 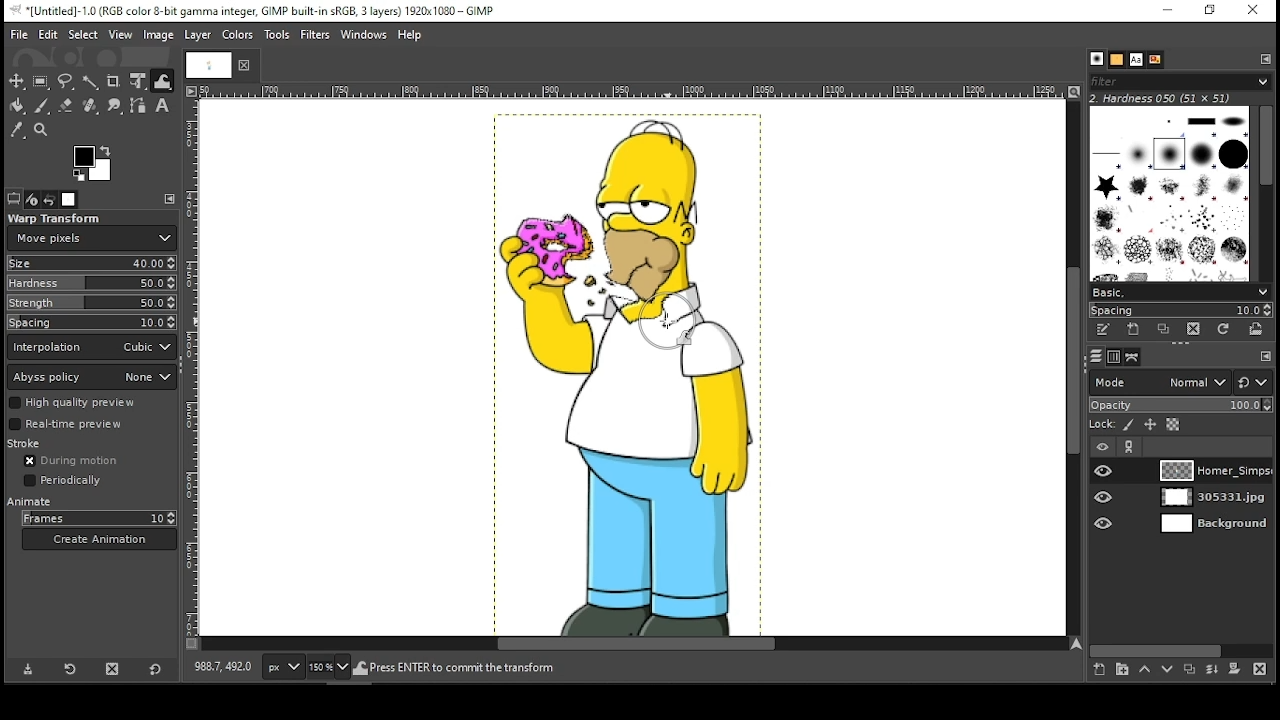 What do you see at coordinates (1188, 671) in the screenshot?
I see `duplicate layer` at bounding box center [1188, 671].